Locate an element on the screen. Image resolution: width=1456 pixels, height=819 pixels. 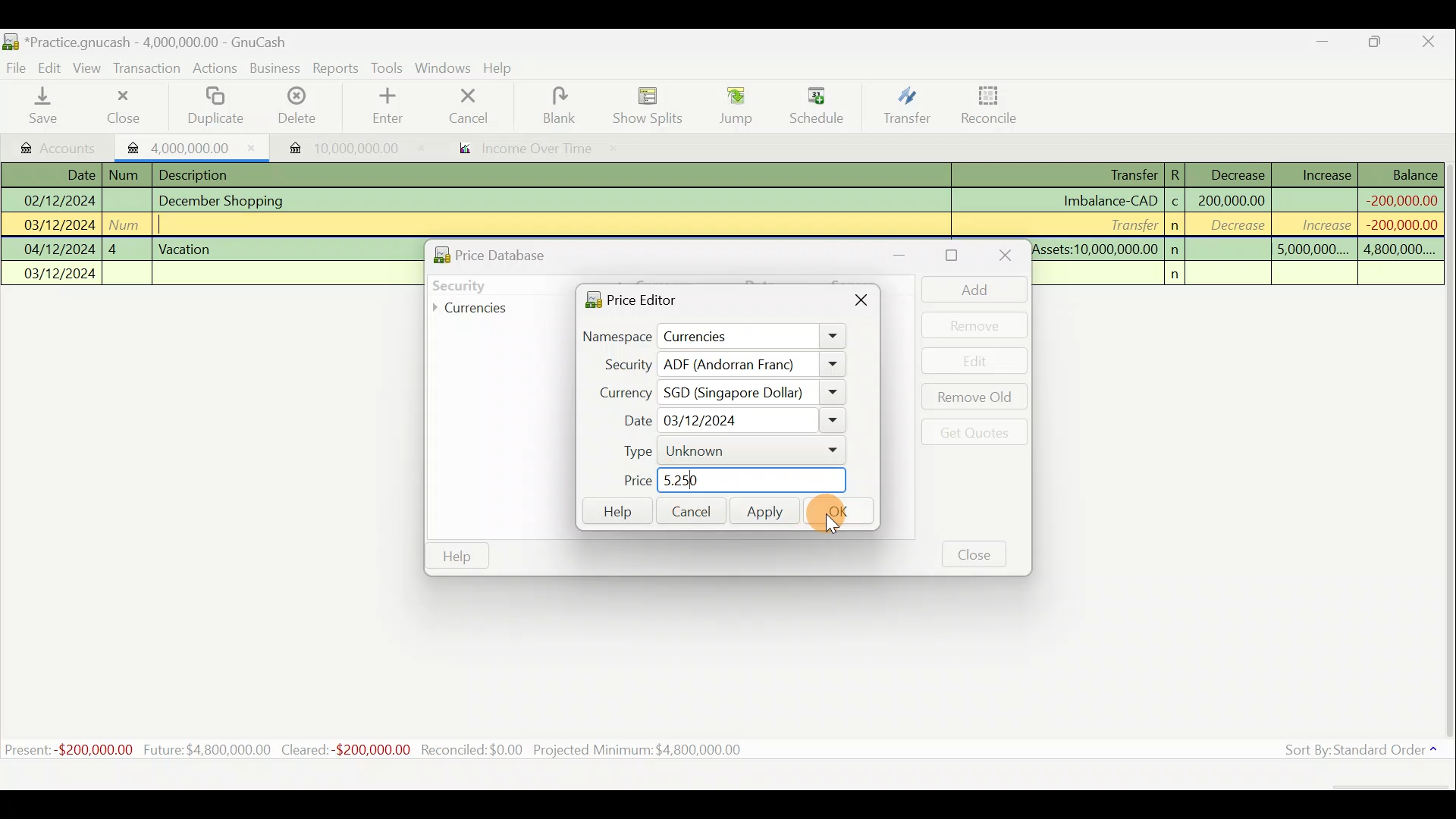
Security is located at coordinates (620, 364).